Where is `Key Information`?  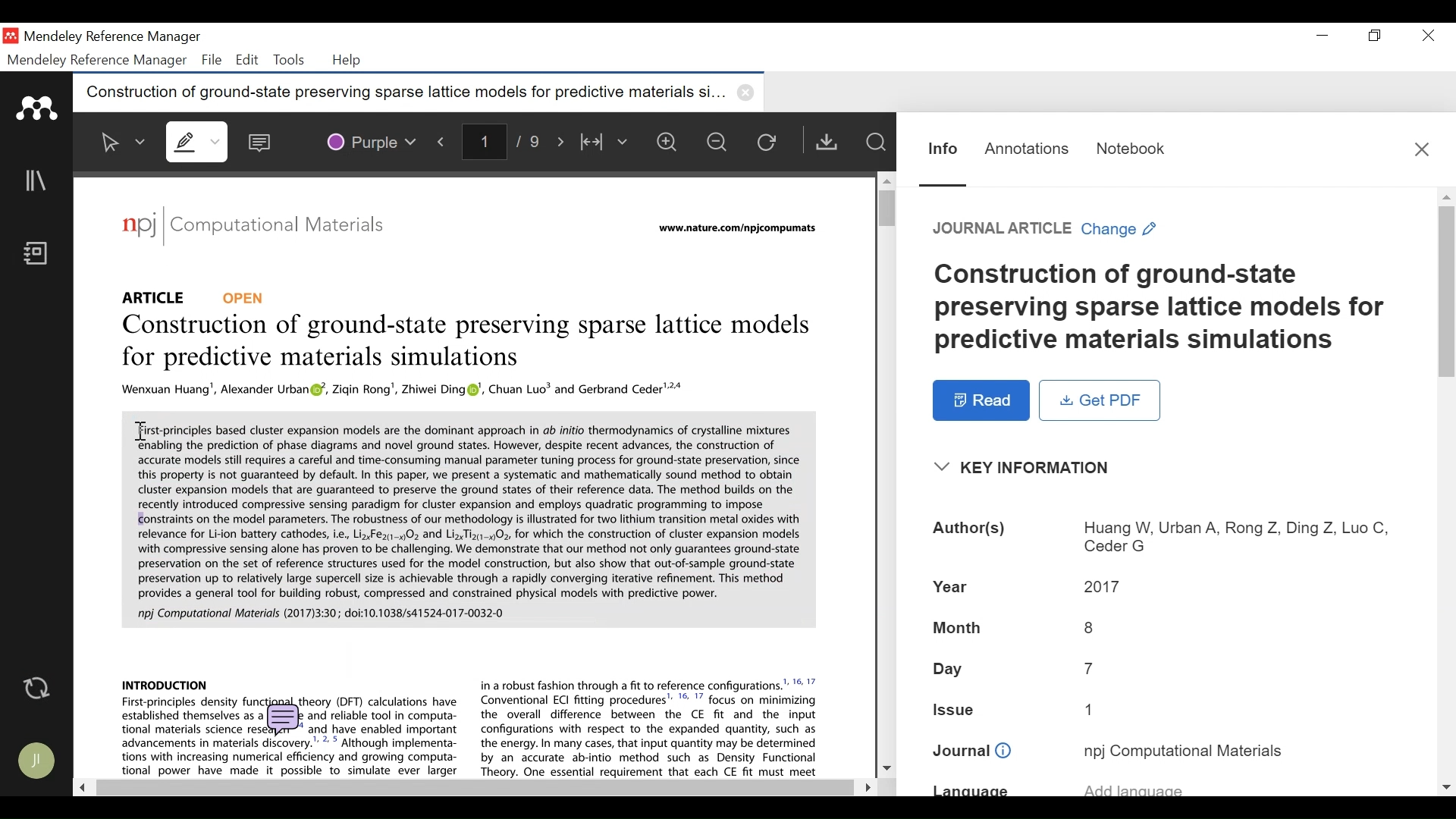 Key Information is located at coordinates (1027, 468).